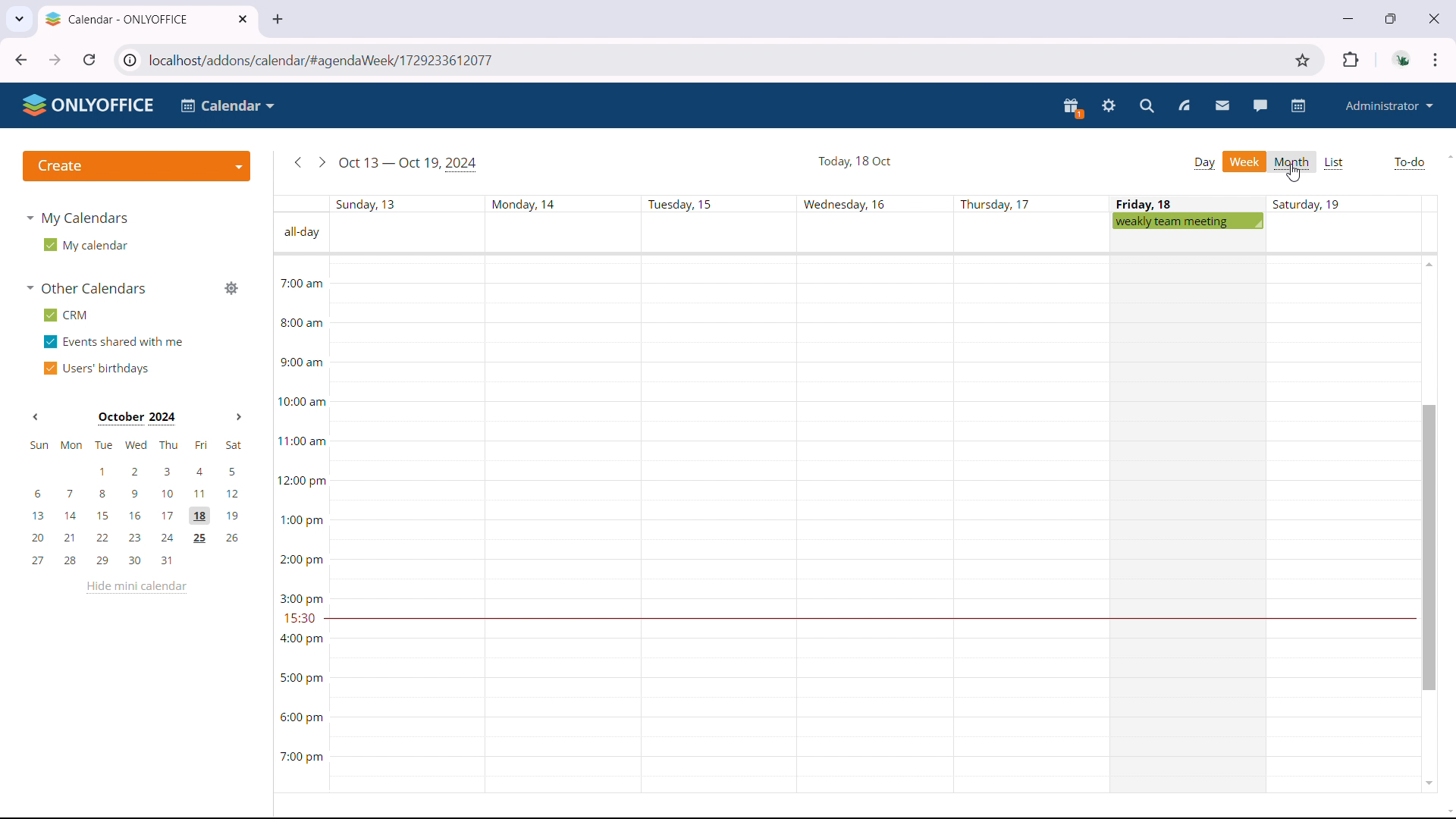  I want to click on Schedule for Friday Which is the current date, so click(1191, 526).